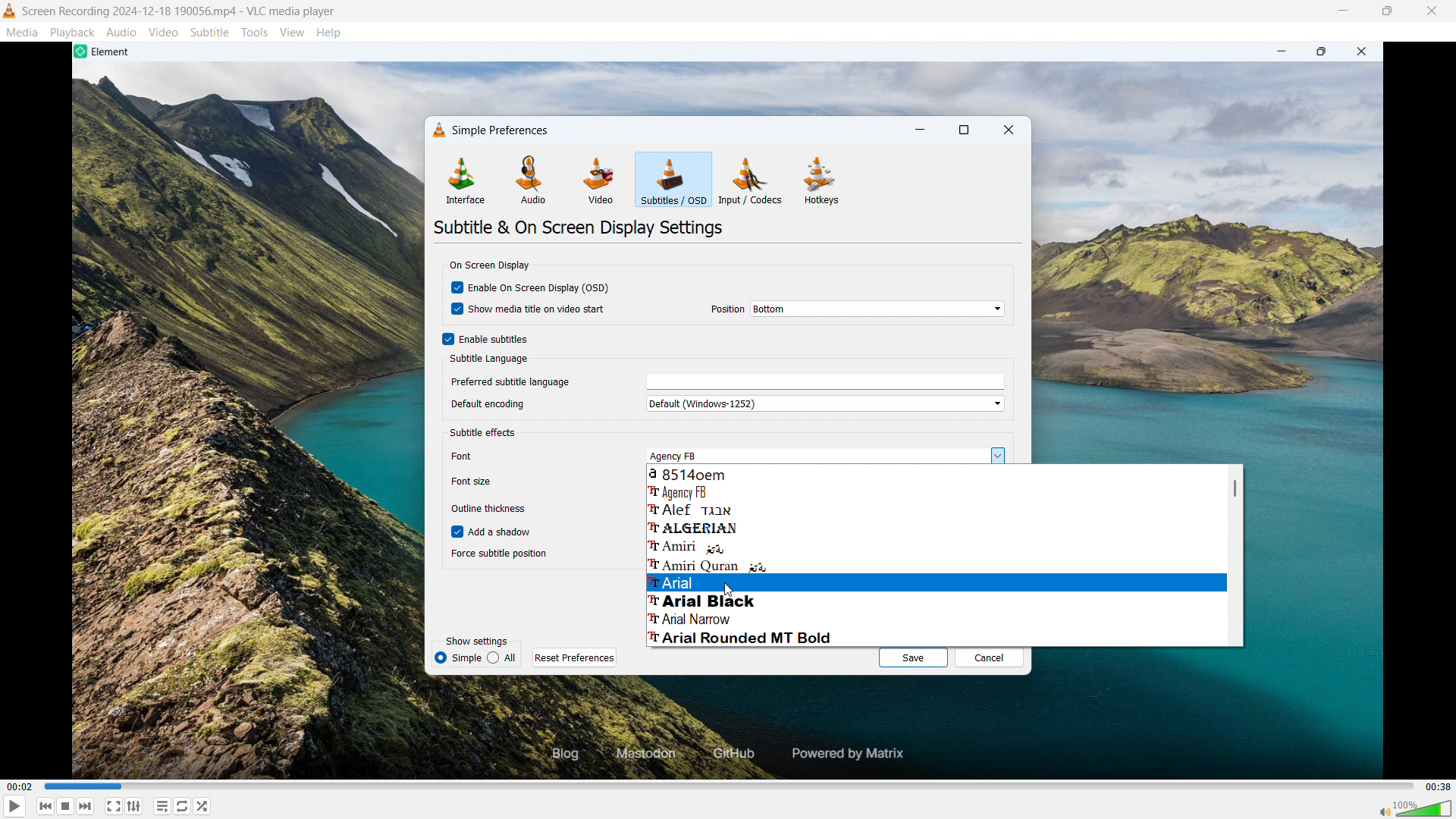 This screenshot has height=819, width=1456. I want to click on toggle playlist, so click(134, 806).